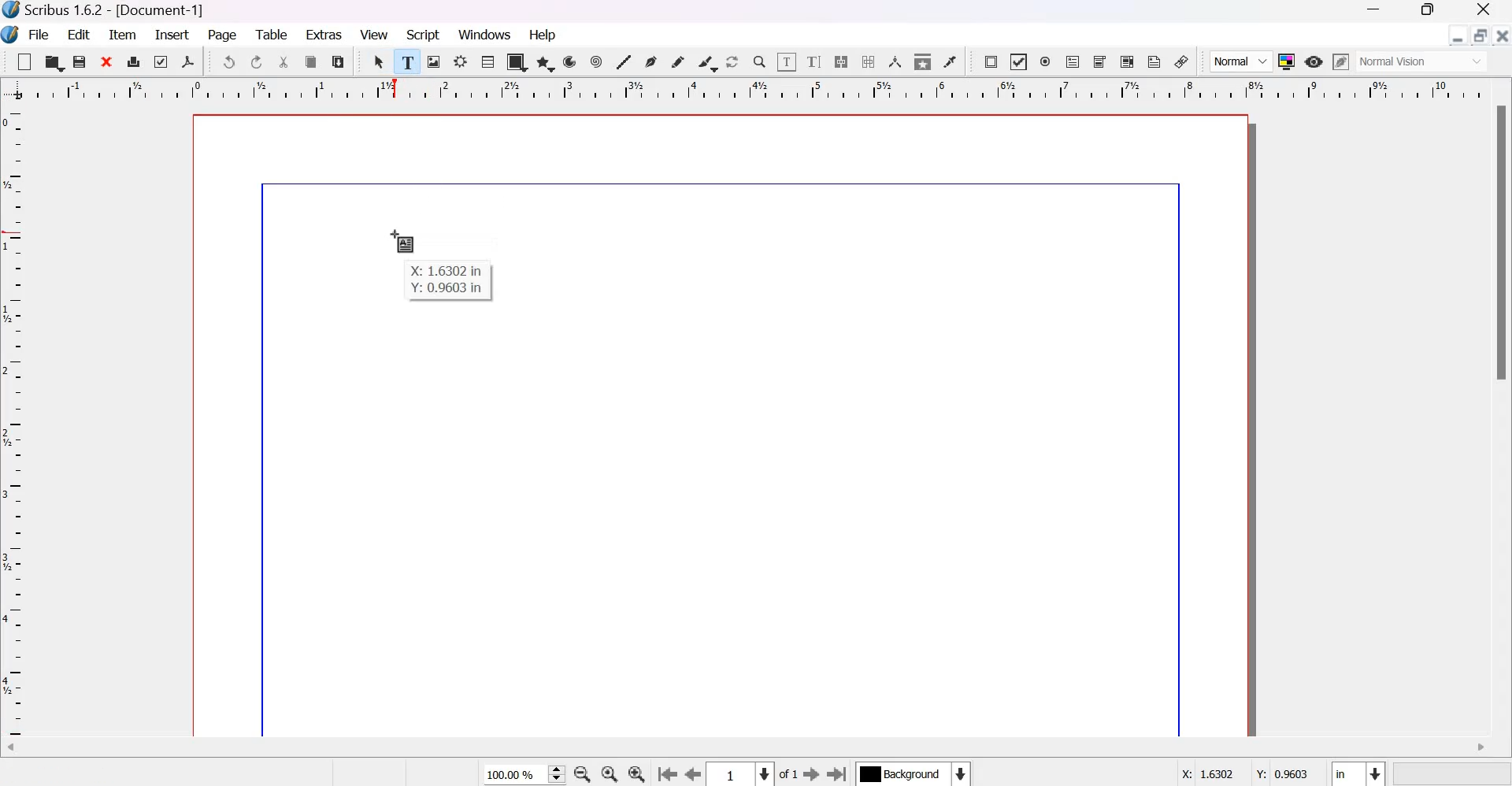  I want to click on Table, so click(487, 61).